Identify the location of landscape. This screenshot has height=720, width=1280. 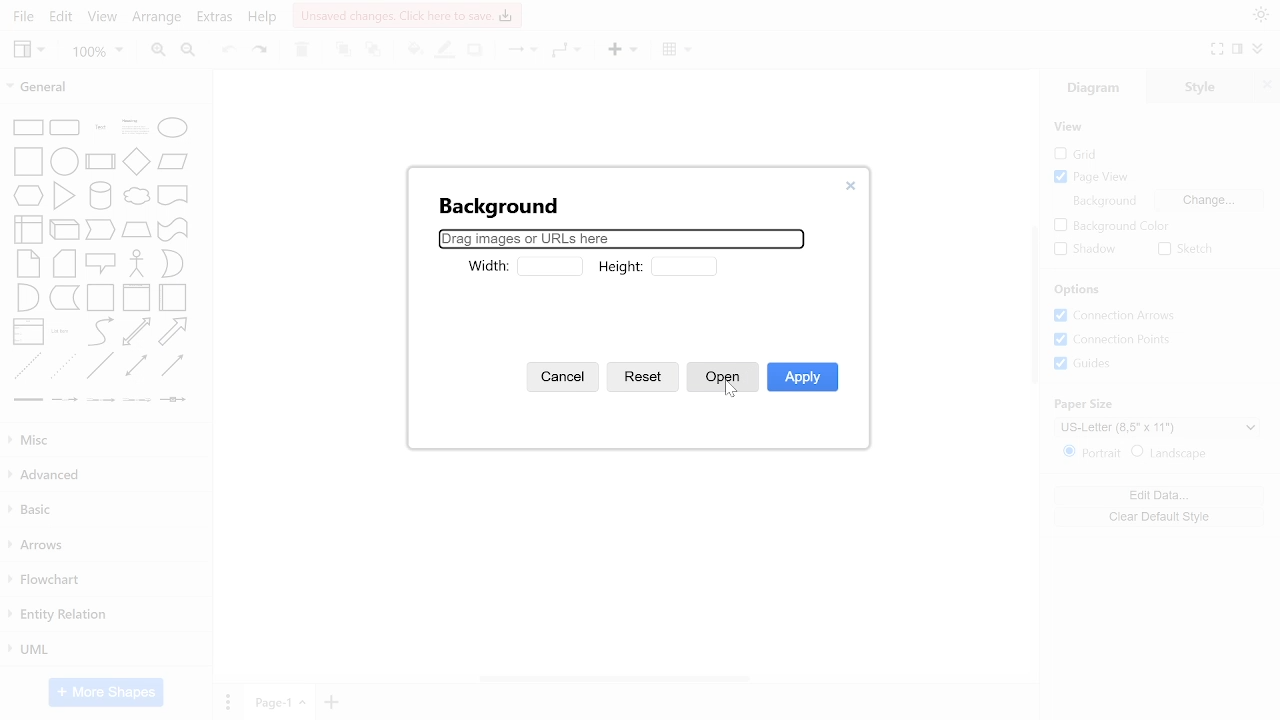
(1171, 453).